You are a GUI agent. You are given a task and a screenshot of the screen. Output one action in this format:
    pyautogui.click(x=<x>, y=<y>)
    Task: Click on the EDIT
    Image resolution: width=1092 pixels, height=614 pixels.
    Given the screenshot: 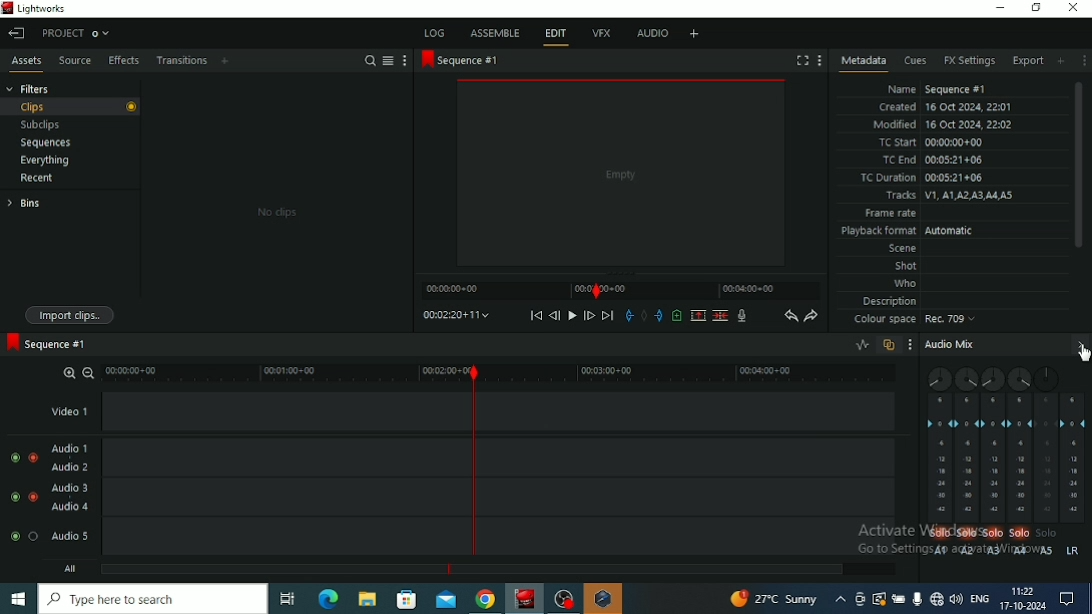 What is the action you would take?
    pyautogui.click(x=558, y=37)
    